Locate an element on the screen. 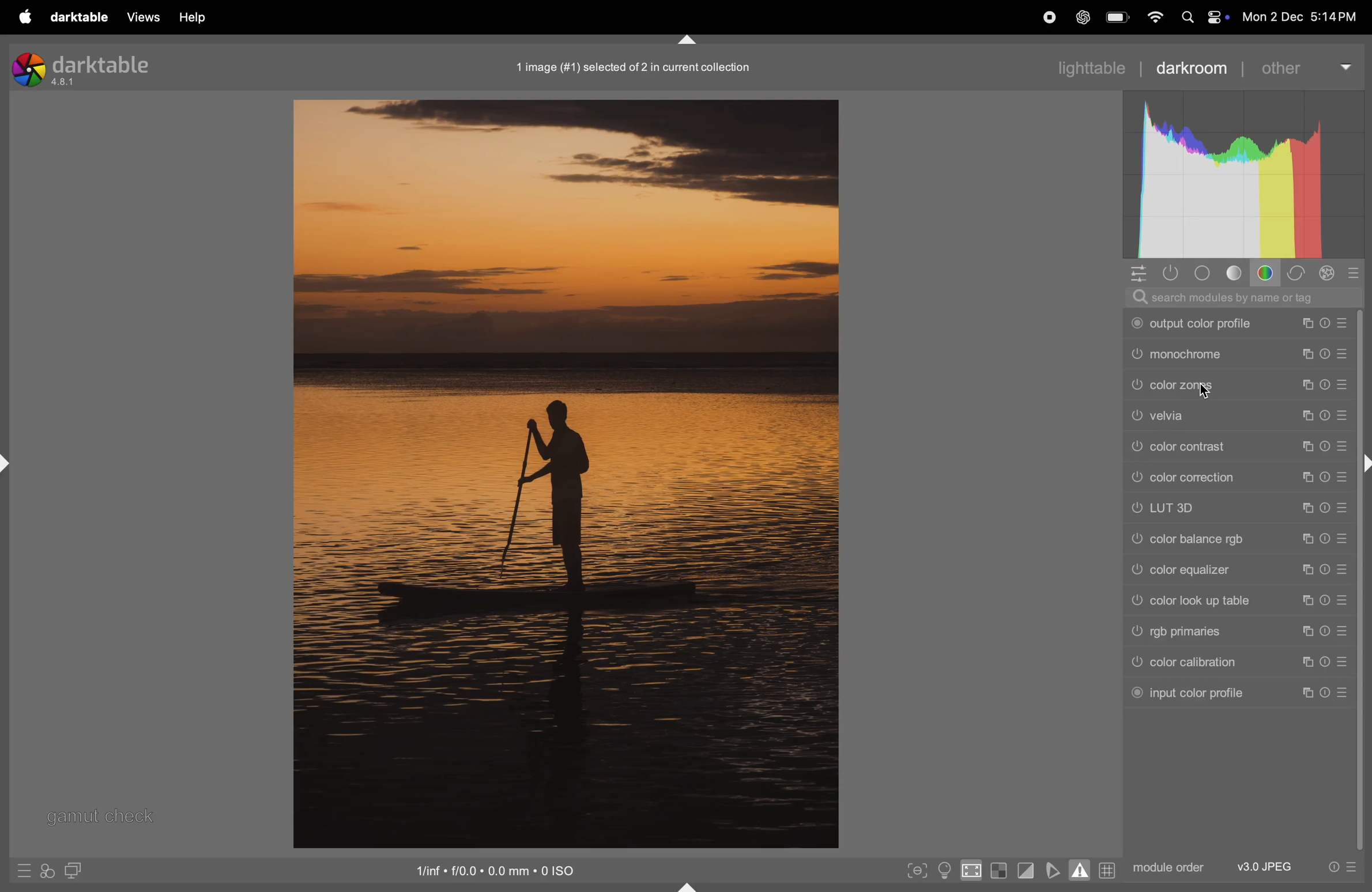  copy is located at coordinates (1307, 355).